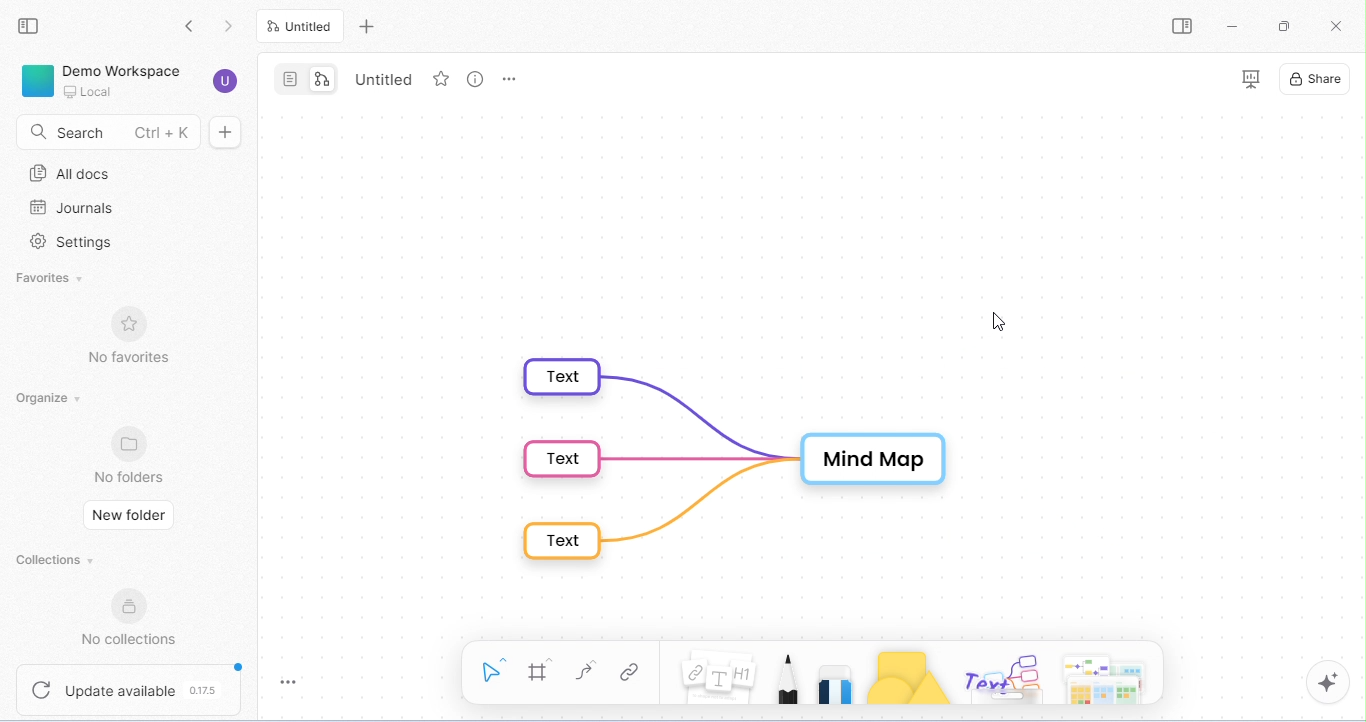  Describe the element at coordinates (289, 78) in the screenshot. I see `page mode` at that location.